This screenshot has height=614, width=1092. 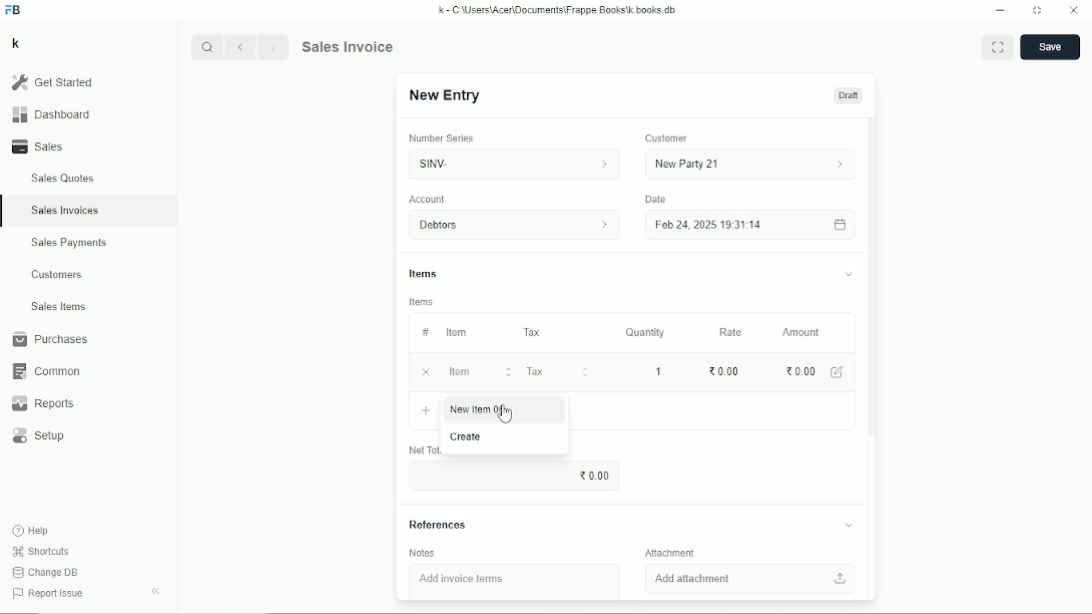 I want to click on Create, so click(x=467, y=437).